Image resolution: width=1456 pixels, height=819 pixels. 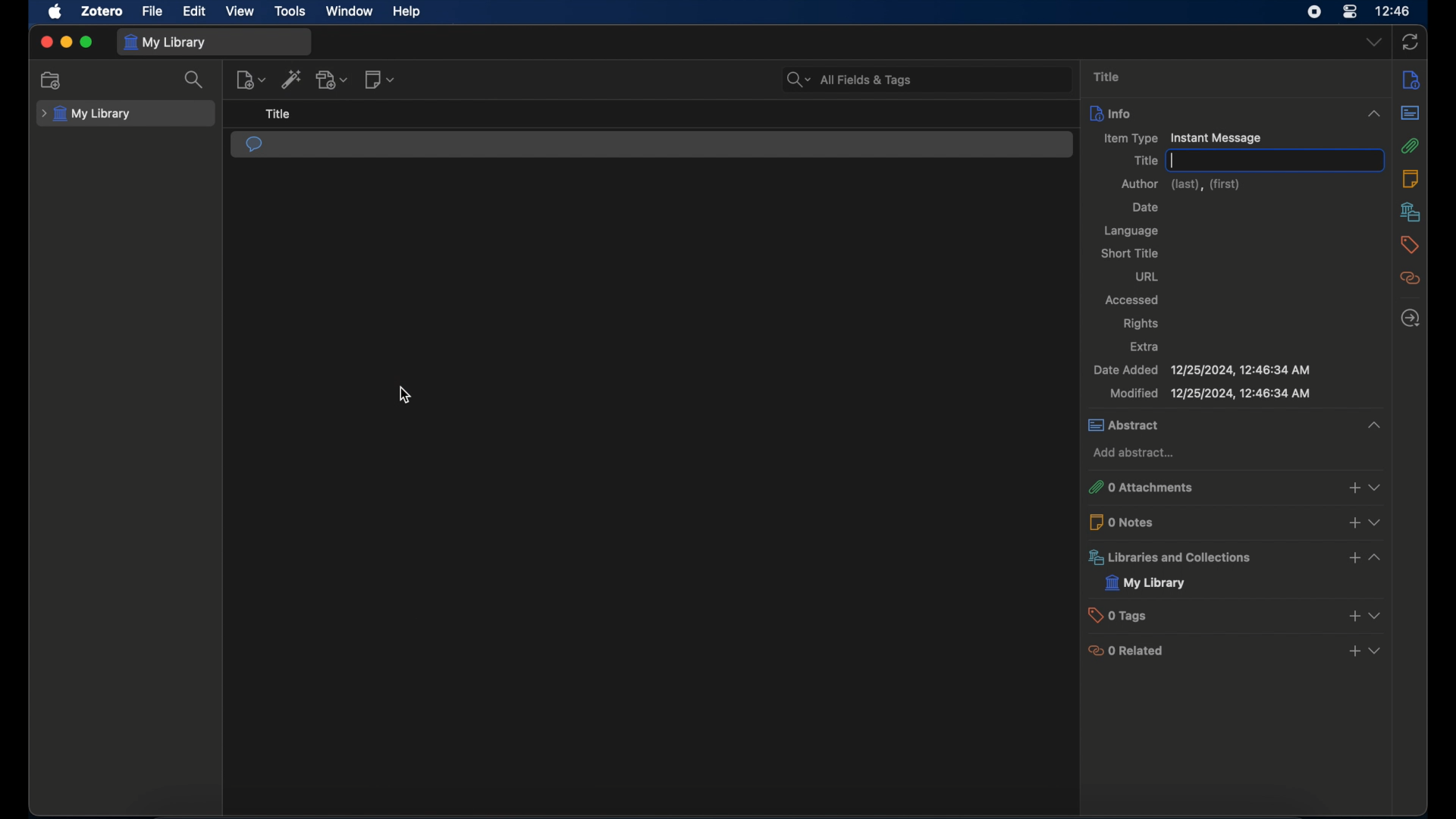 What do you see at coordinates (52, 80) in the screenshot?
I see `new collection` at bounding box center [52, 80].